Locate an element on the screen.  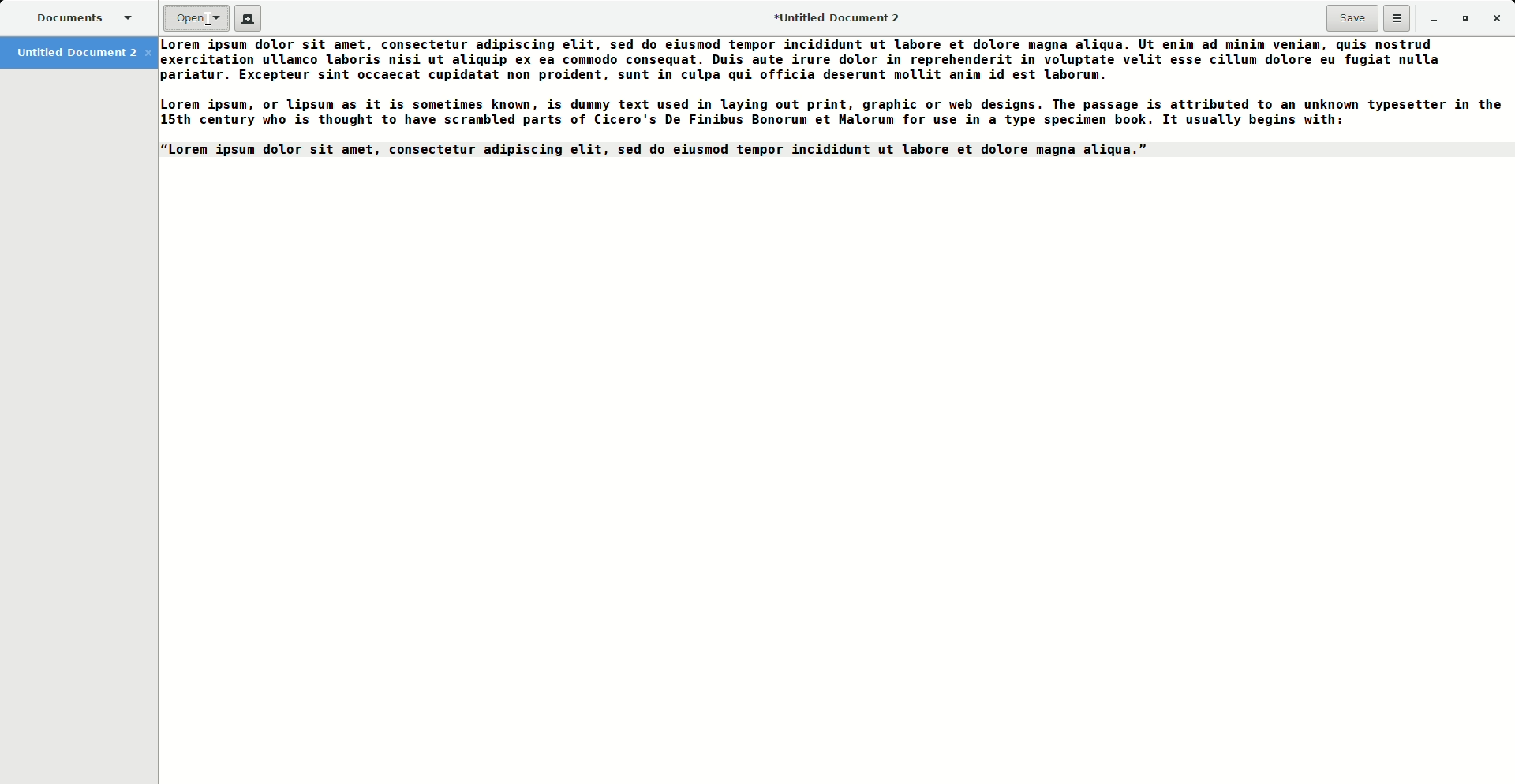
Text is located at coordinates (835, 103).